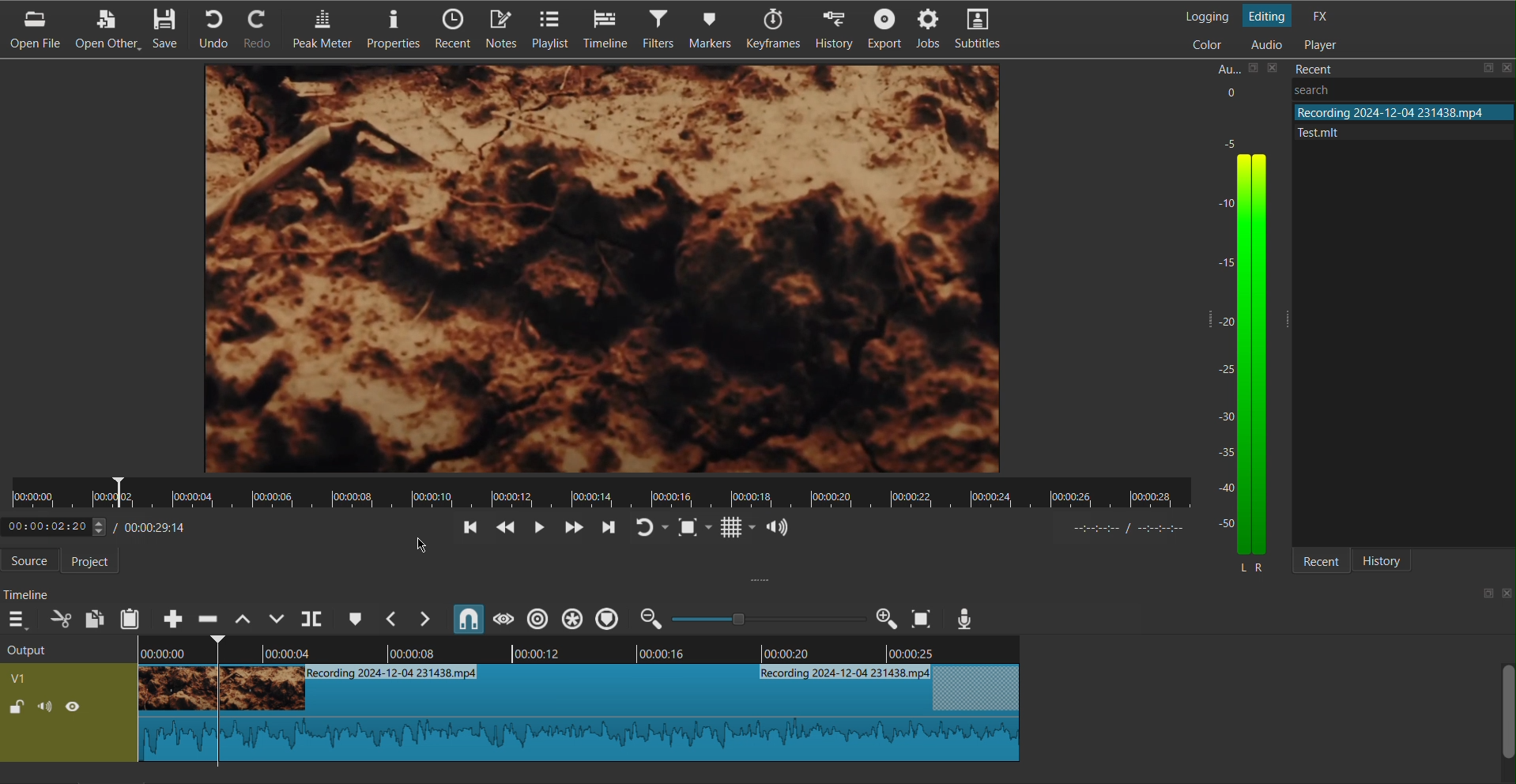  Describe the element at coordinates (920, 618) in the screenshot. I see `Zoom to Screen` at that location.